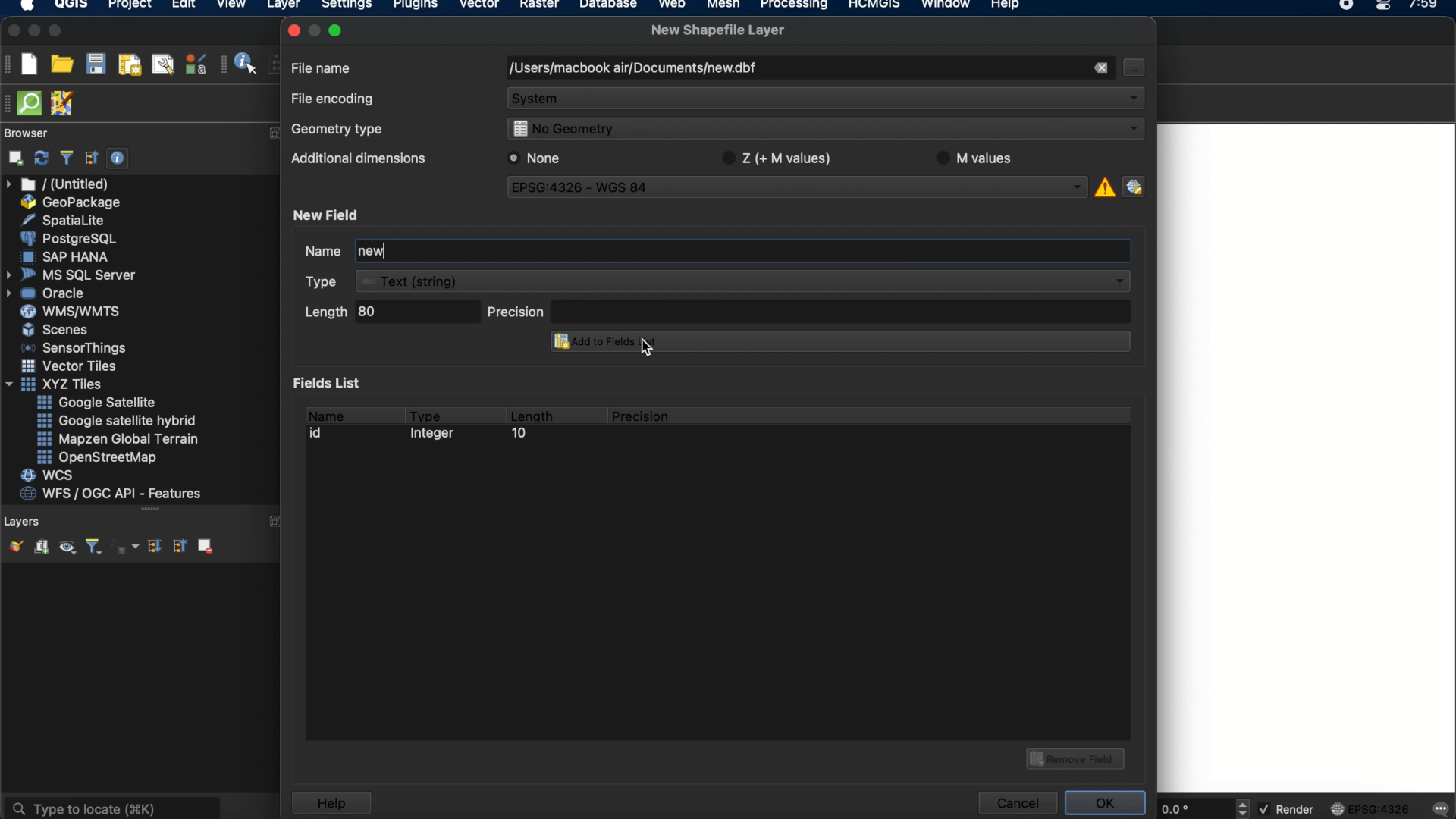 This screenshot has height=819, width=1456. What do you see at coordinates (1078, 757) in the screenshot?
I see `remove field` at bounding box center [1078, 757].